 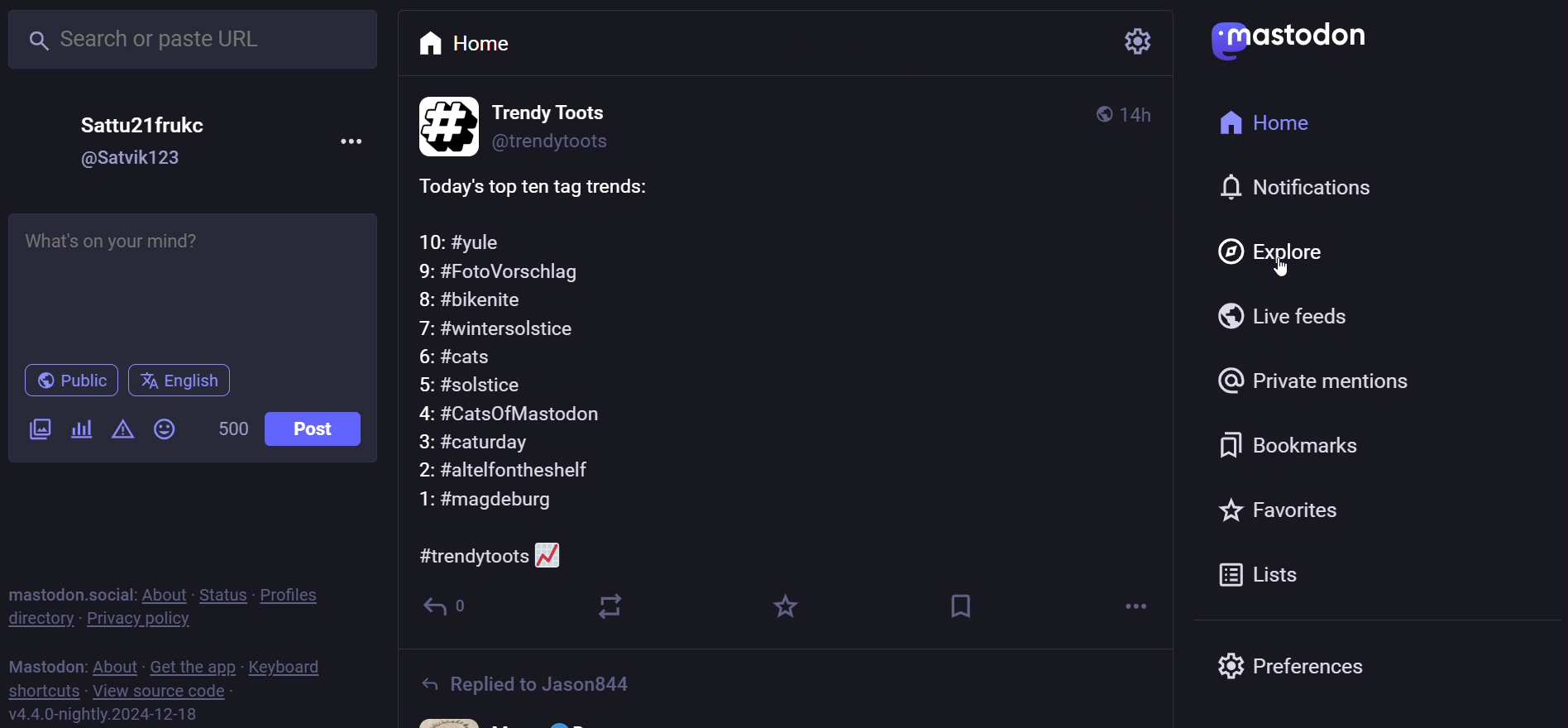 What do you see at coordinates (1099, 114) in the screenshot?
I see `public` at bounding box center [1099, 114].